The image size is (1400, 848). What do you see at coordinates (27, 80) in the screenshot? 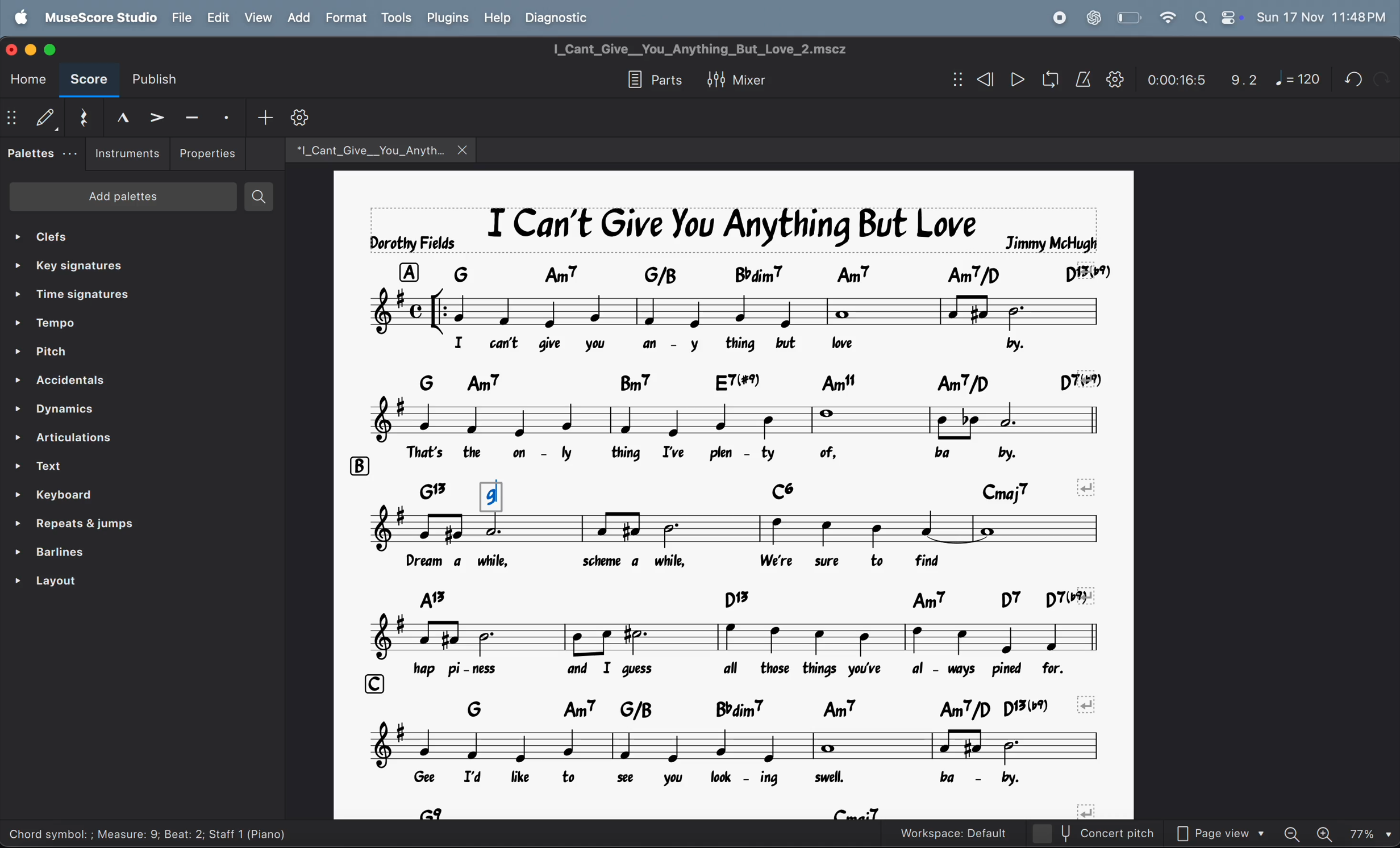
I see `home` at bounding box center [27, 80].